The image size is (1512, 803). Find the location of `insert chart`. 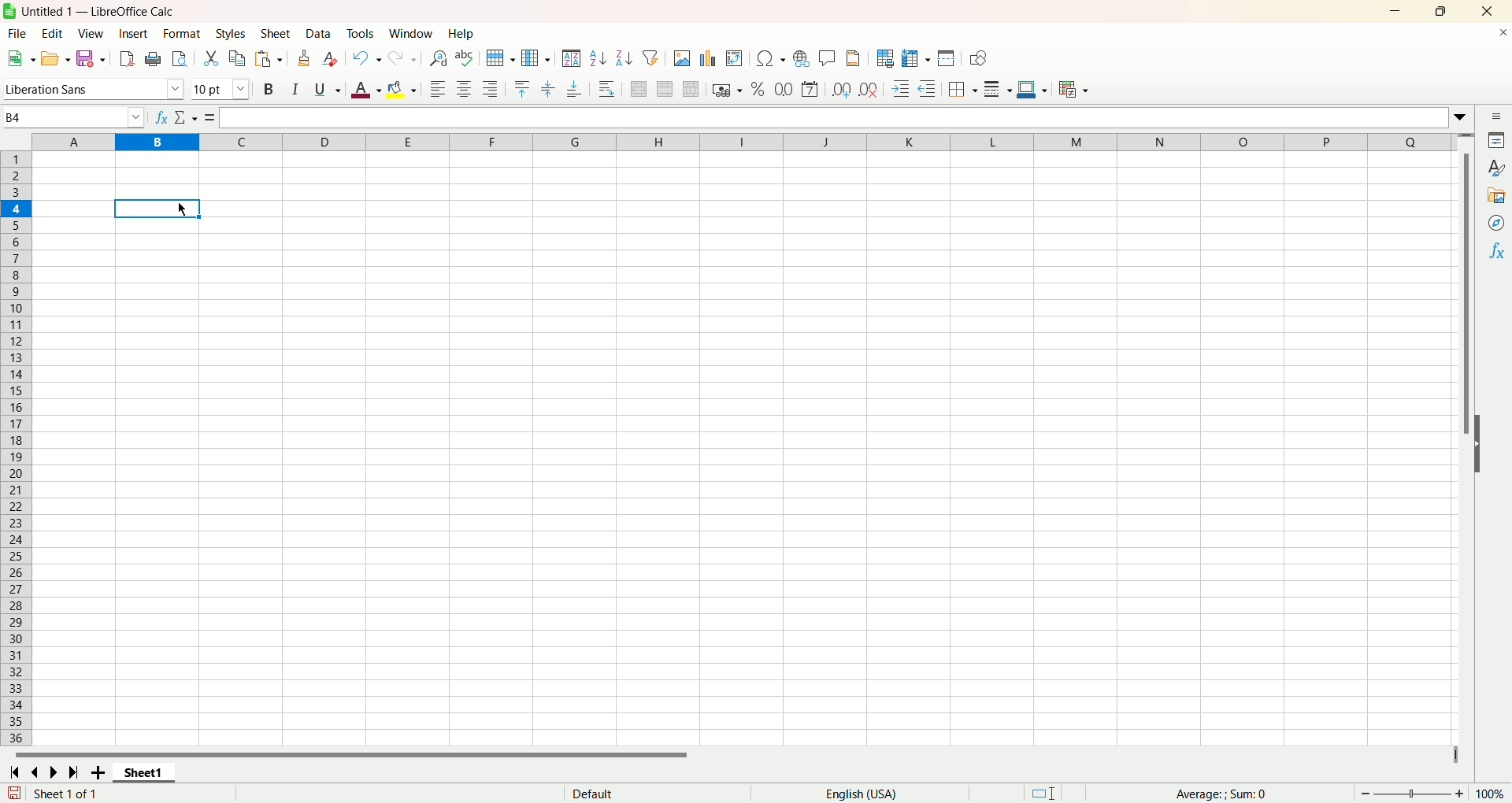

insert chart is located at coordinates (710, 60).